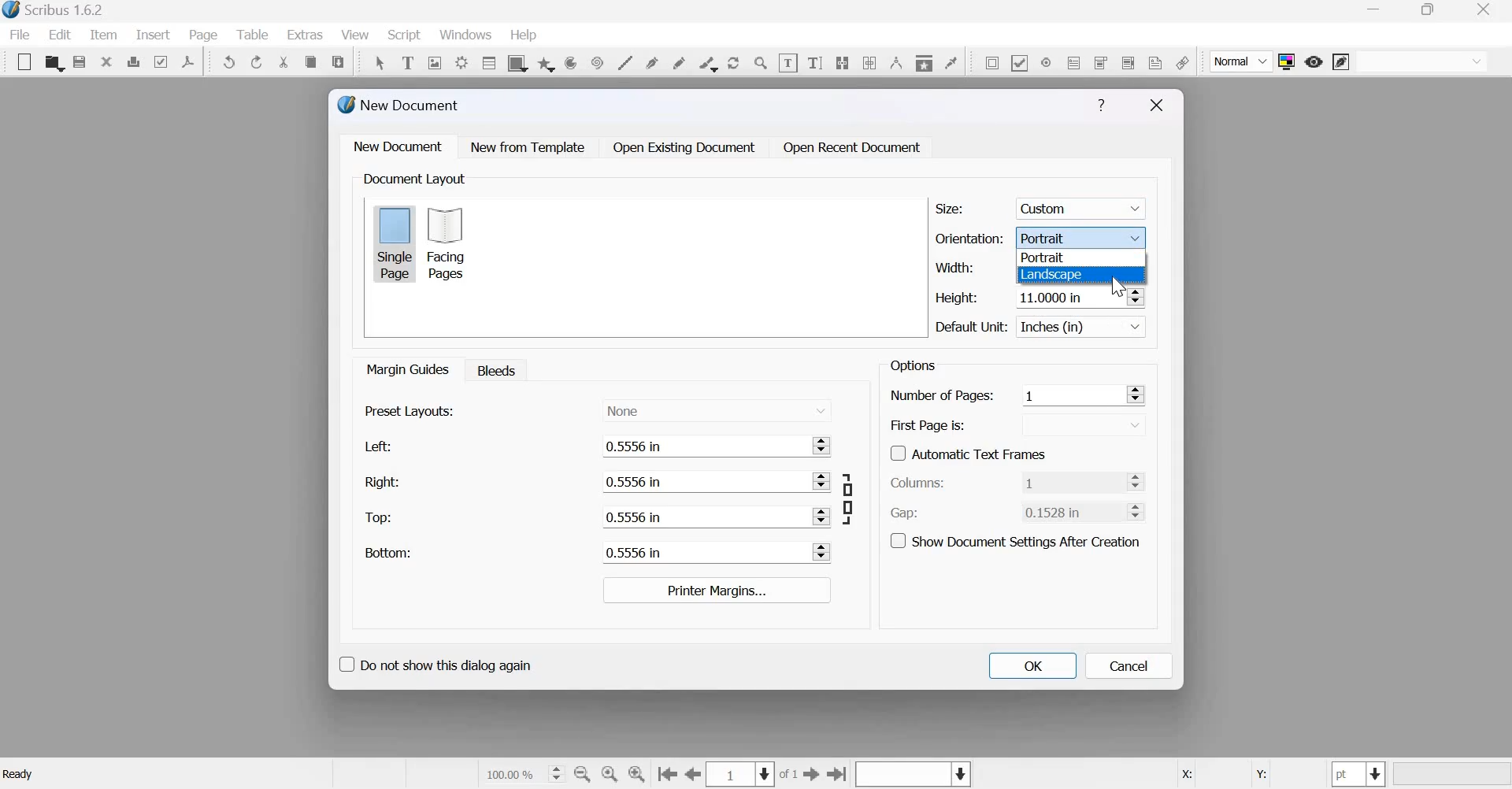 This screenshot has width=1512, height=789. I want to click on close, so click(106, 61).